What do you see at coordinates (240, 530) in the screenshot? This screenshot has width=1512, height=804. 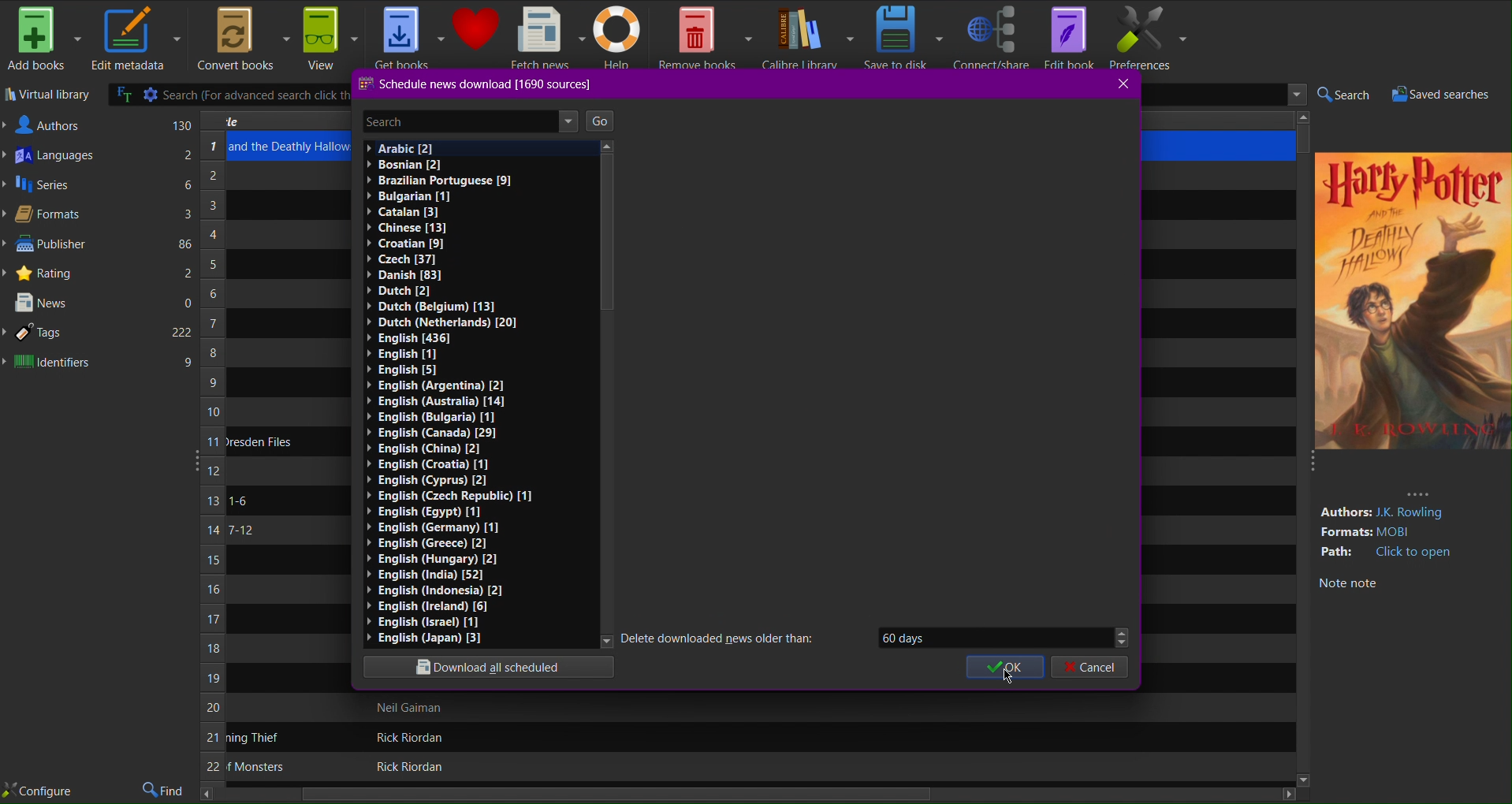 I see `7-12` at bounding box center [240, 530].